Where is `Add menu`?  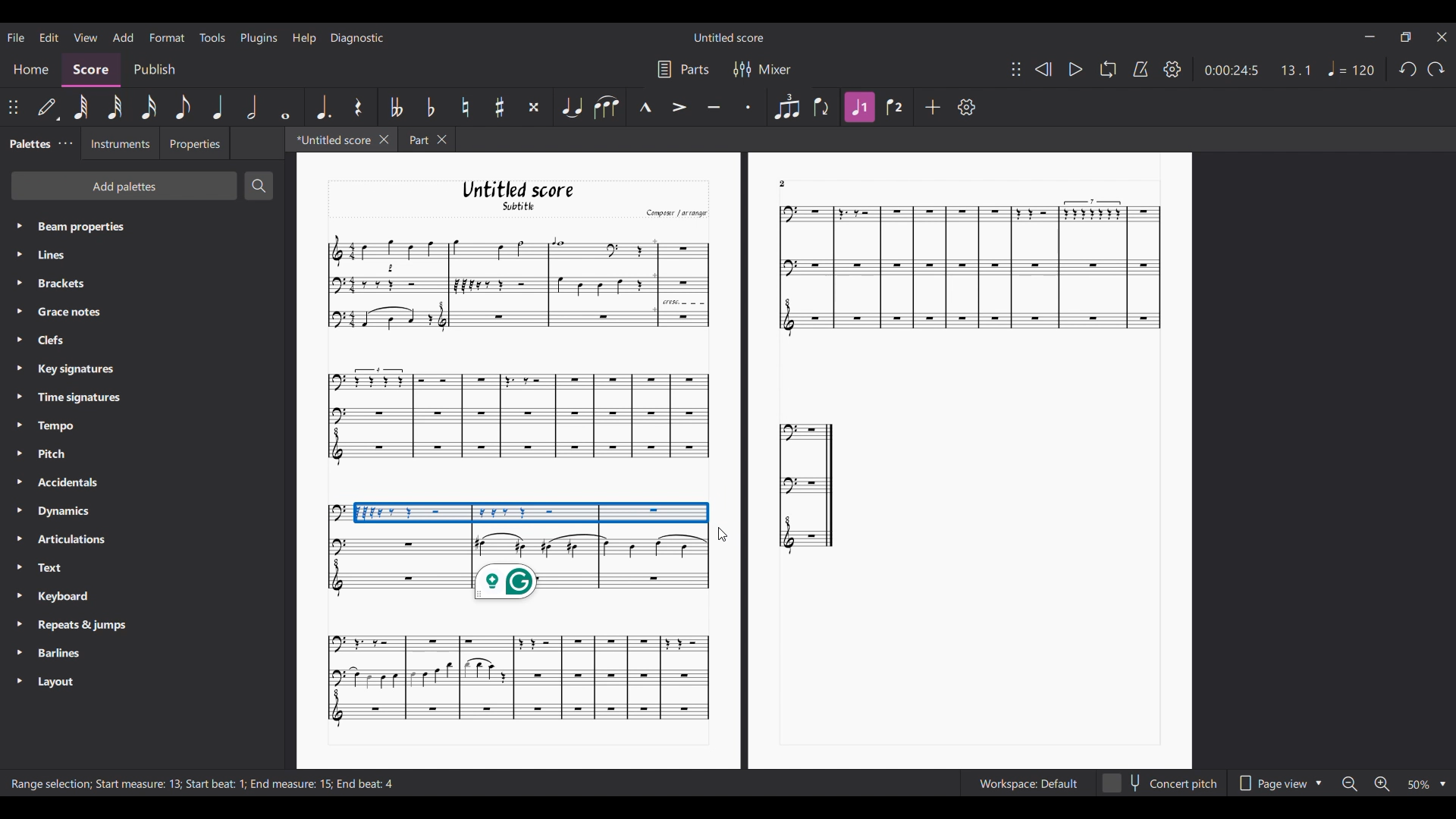
Add menu is located at coordinates (122, 36).